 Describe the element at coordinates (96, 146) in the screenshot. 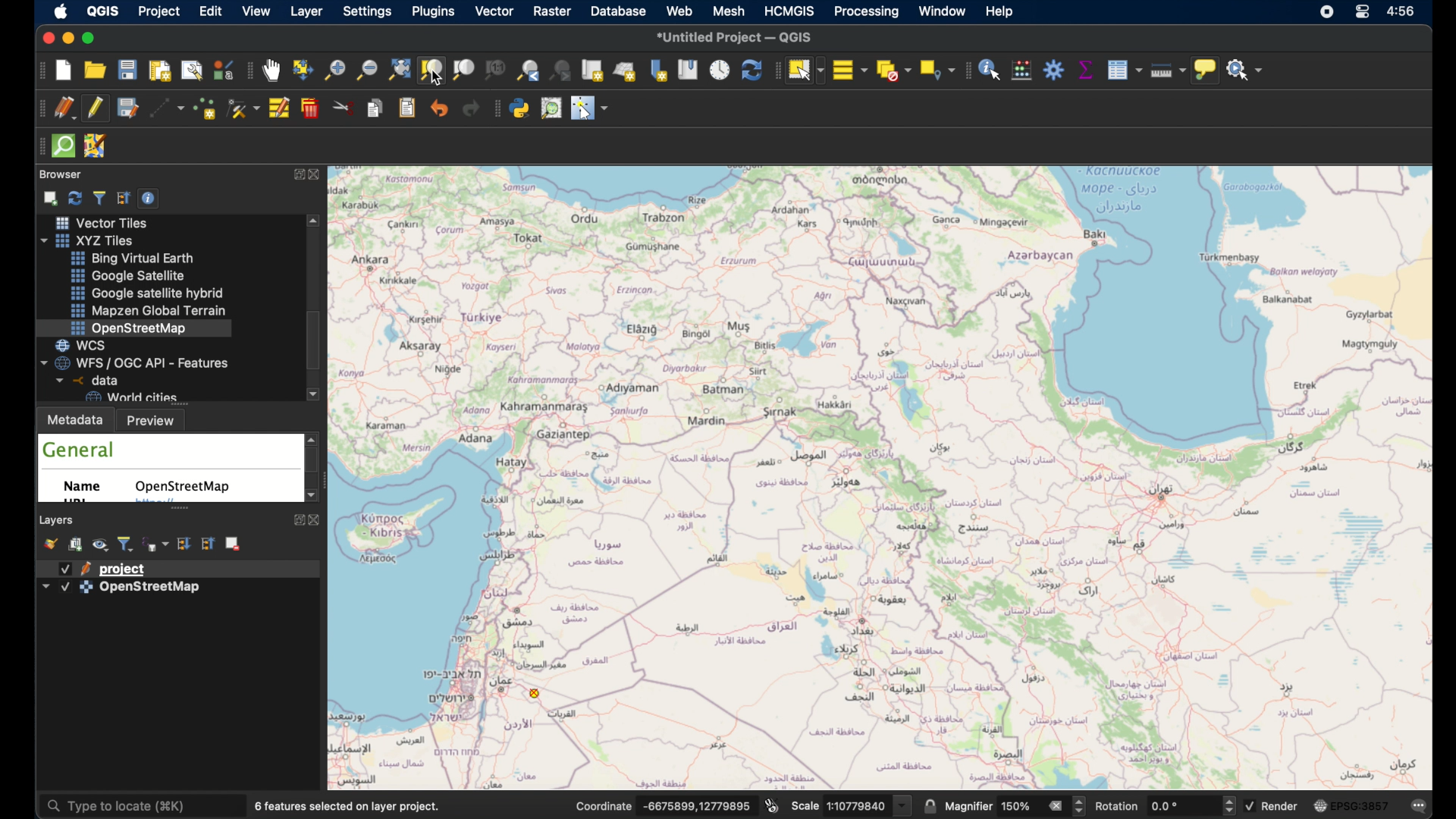

I see `josh remote` at that location.